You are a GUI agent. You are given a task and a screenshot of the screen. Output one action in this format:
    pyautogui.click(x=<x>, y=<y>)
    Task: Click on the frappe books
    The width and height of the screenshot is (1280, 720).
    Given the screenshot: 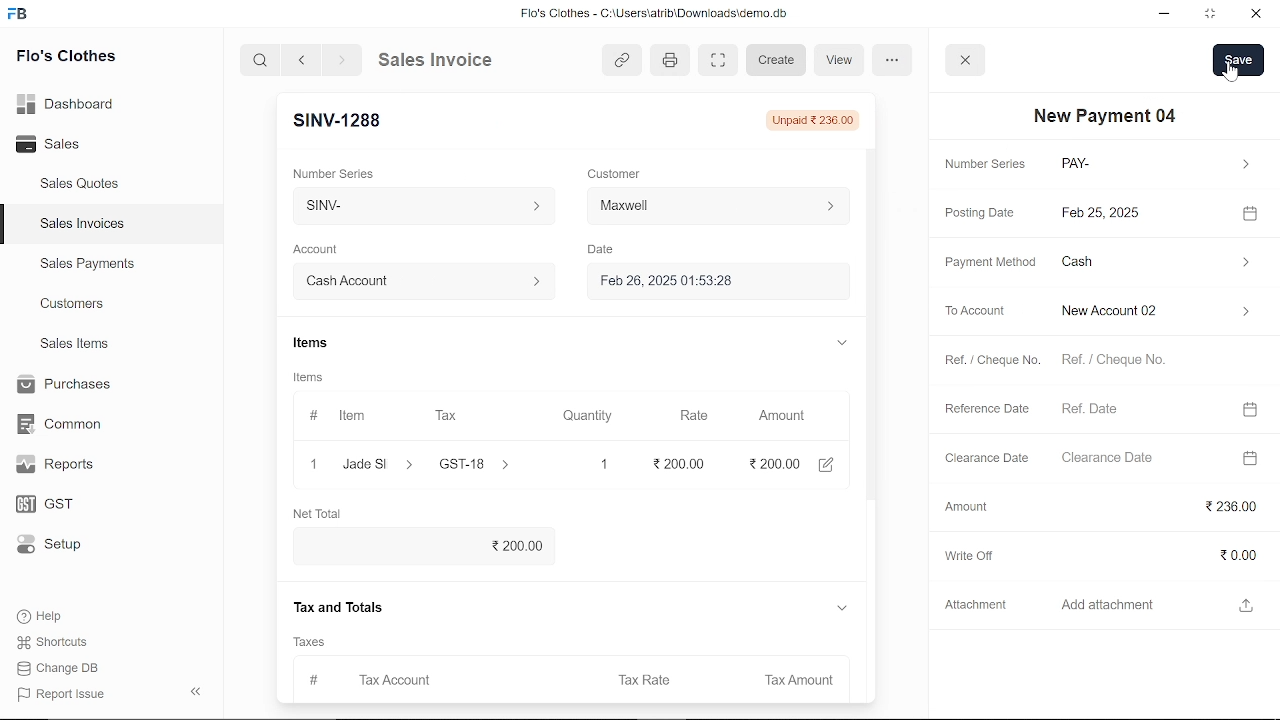 What is the action you would take?
    pyautogui.click(x=18, y=16)
    